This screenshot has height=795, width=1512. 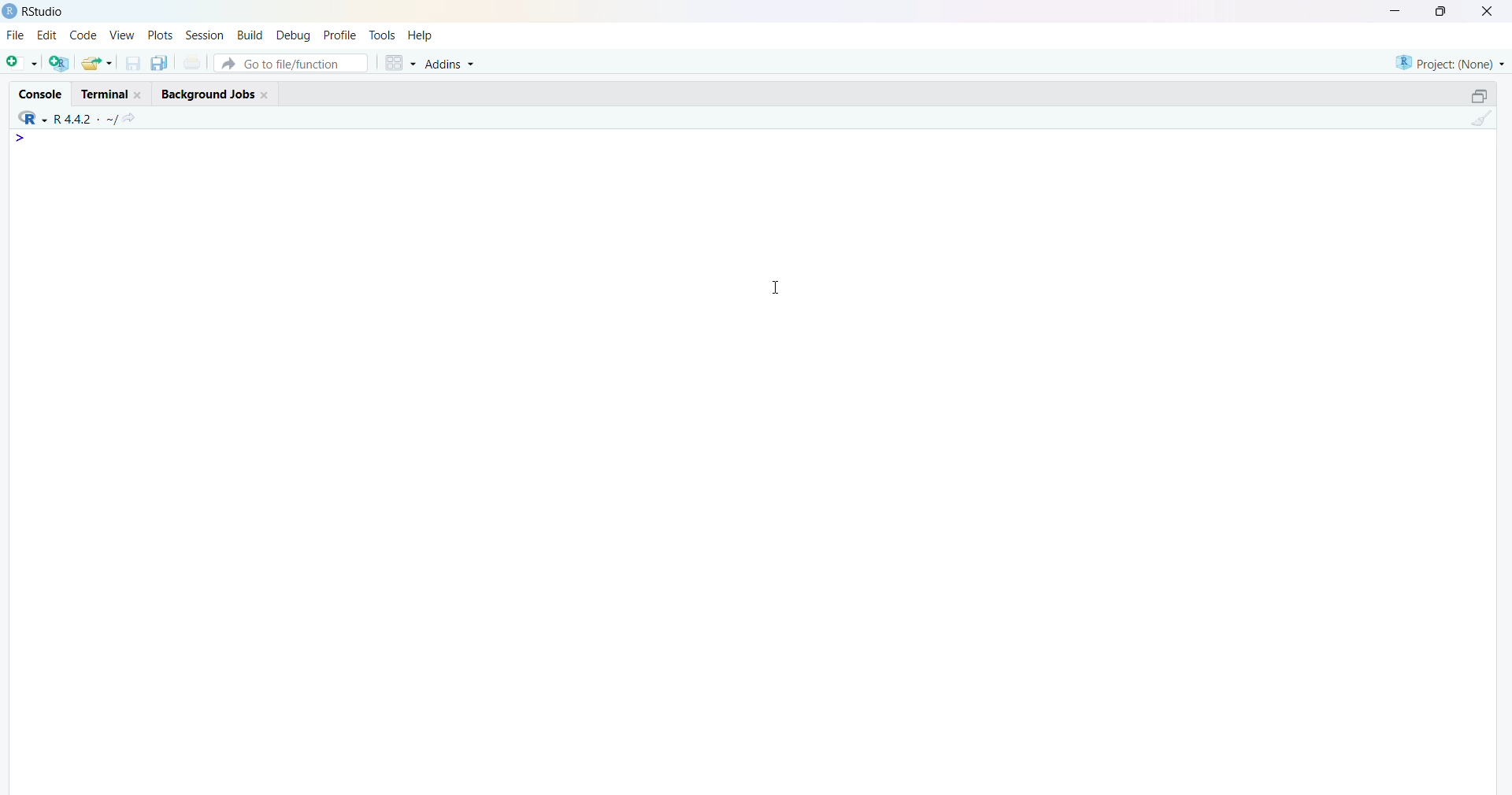 What do you see at coordinates (252, 35) in the screenshot?
I see `build` at bounding box center [252, 35].